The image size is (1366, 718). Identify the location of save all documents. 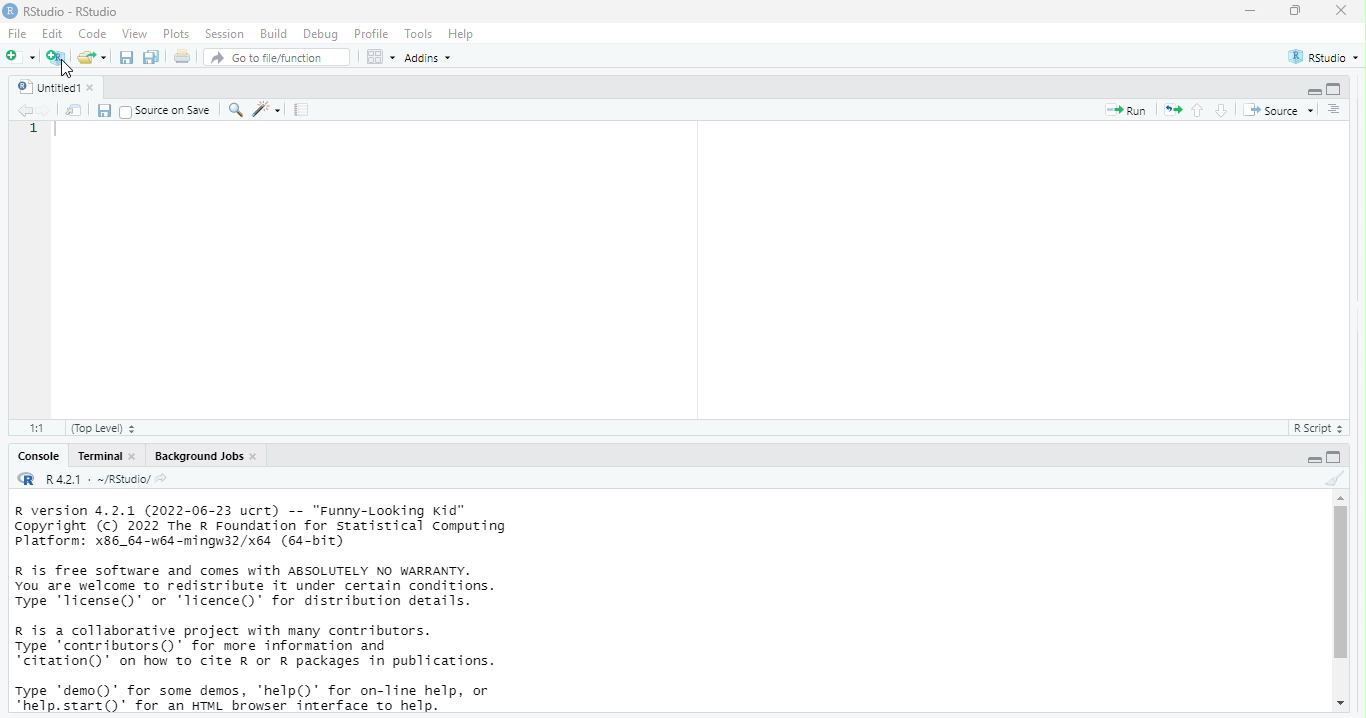
(152, 57).